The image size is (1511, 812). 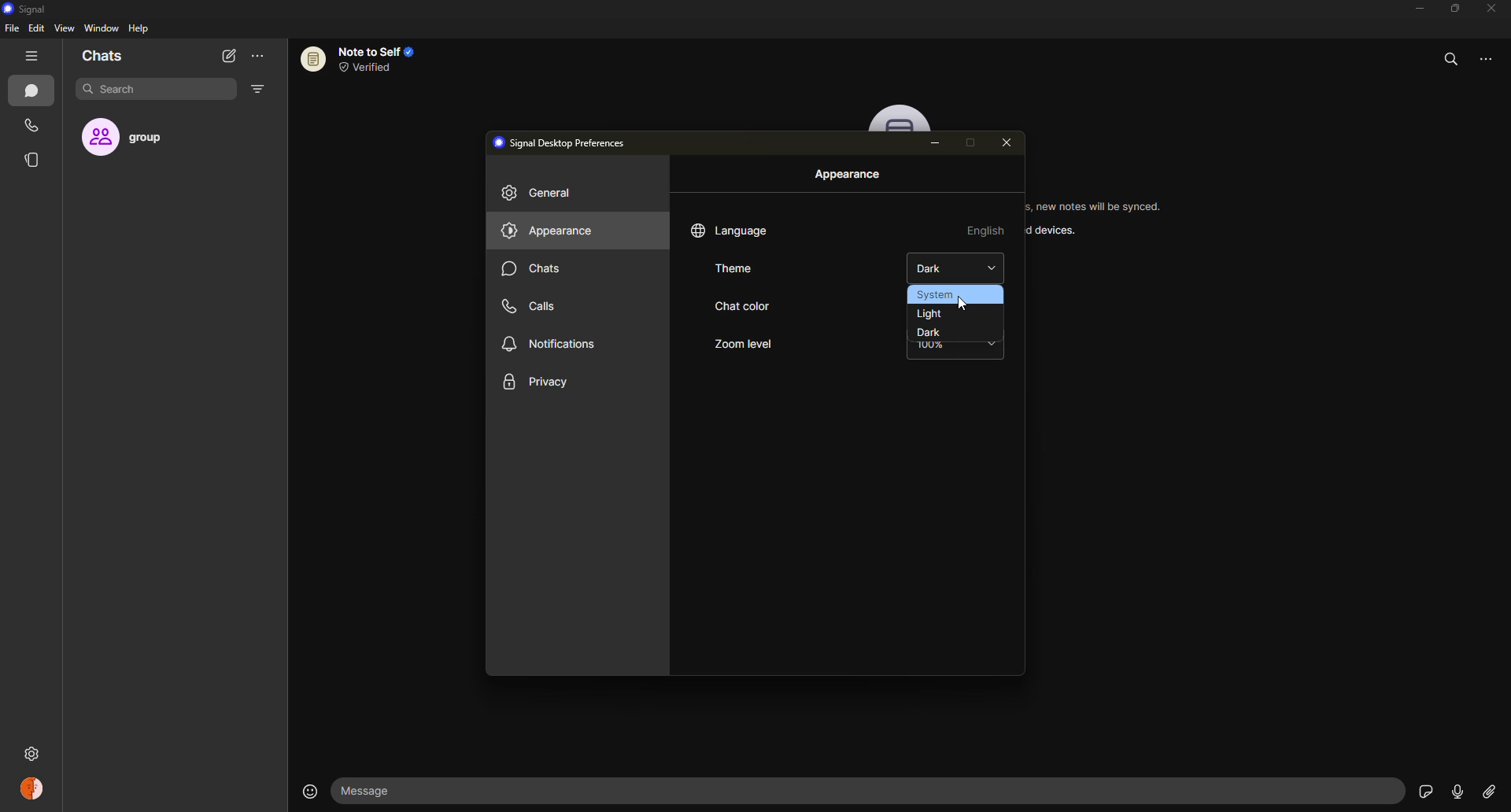 What do you see at coordinates (140, 28) in the screenshot?
I see `help` at bounding box center [140, 28].